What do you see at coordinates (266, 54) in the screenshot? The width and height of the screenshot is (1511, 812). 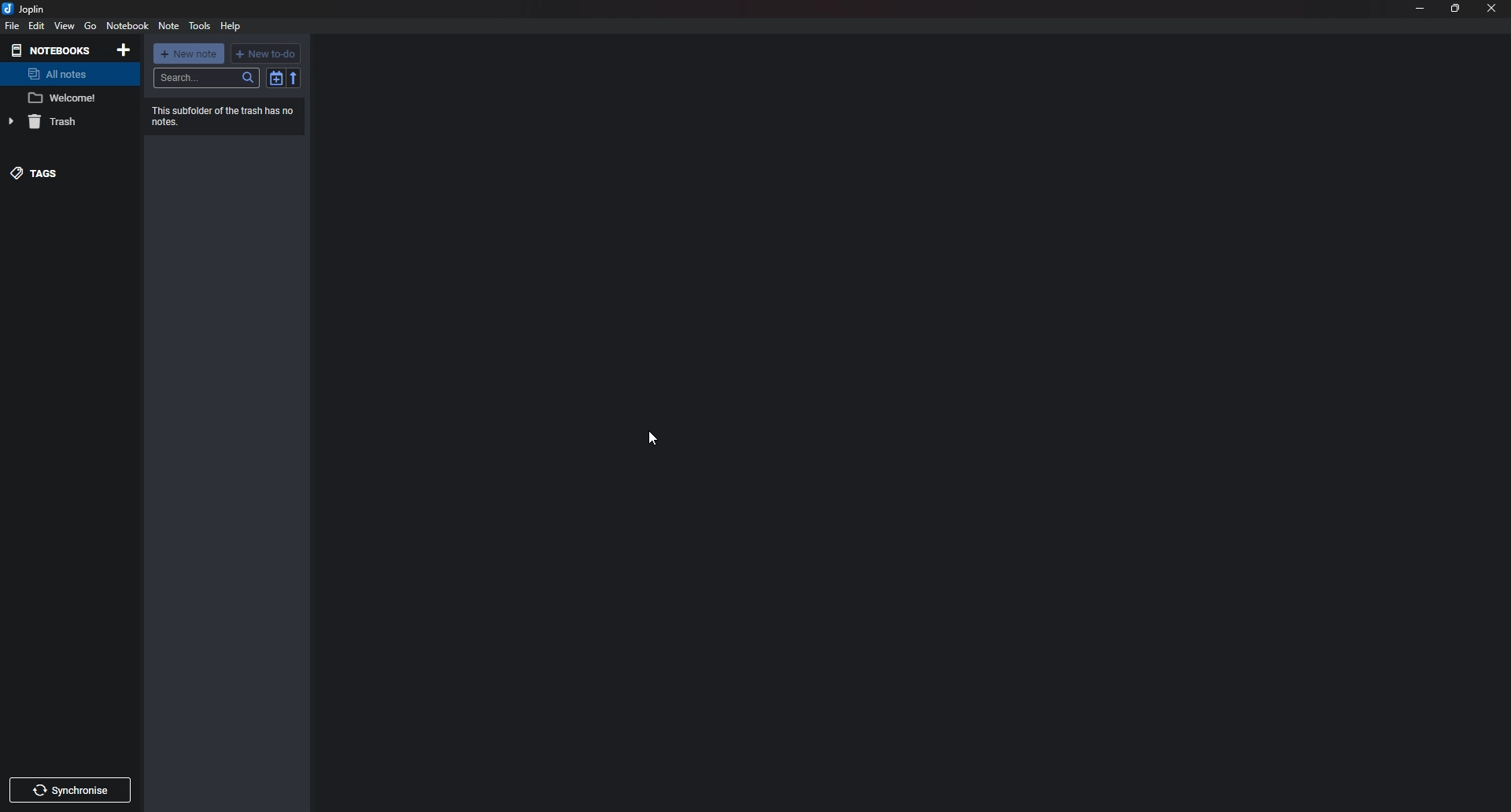 I see `new to do` at bounding box center [266, 54].